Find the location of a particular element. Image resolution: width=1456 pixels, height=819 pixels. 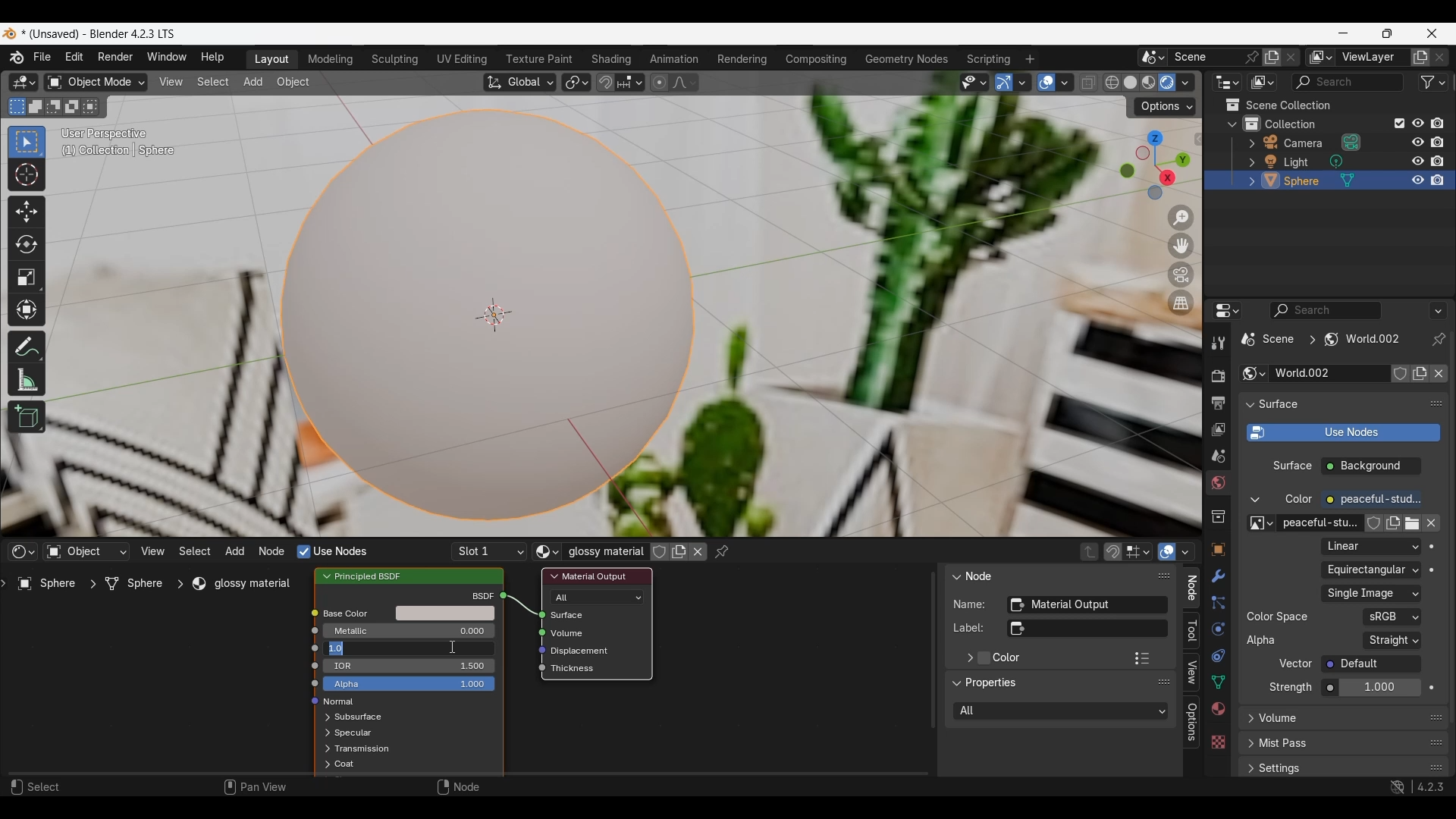

Transform  is located at coordinates (27, 310).